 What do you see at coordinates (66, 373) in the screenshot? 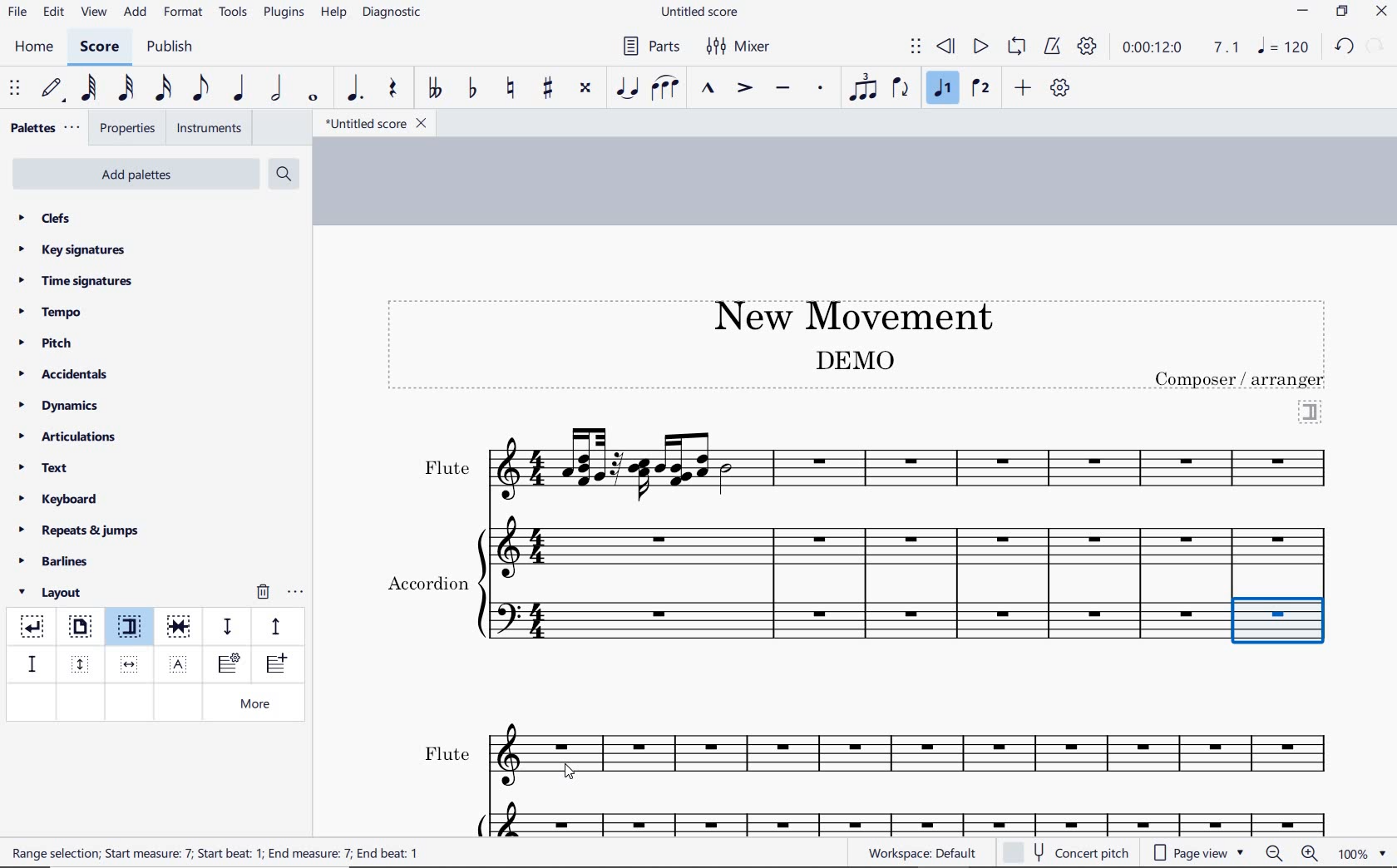
I see `accidentals` at bounding box center [66, 373].